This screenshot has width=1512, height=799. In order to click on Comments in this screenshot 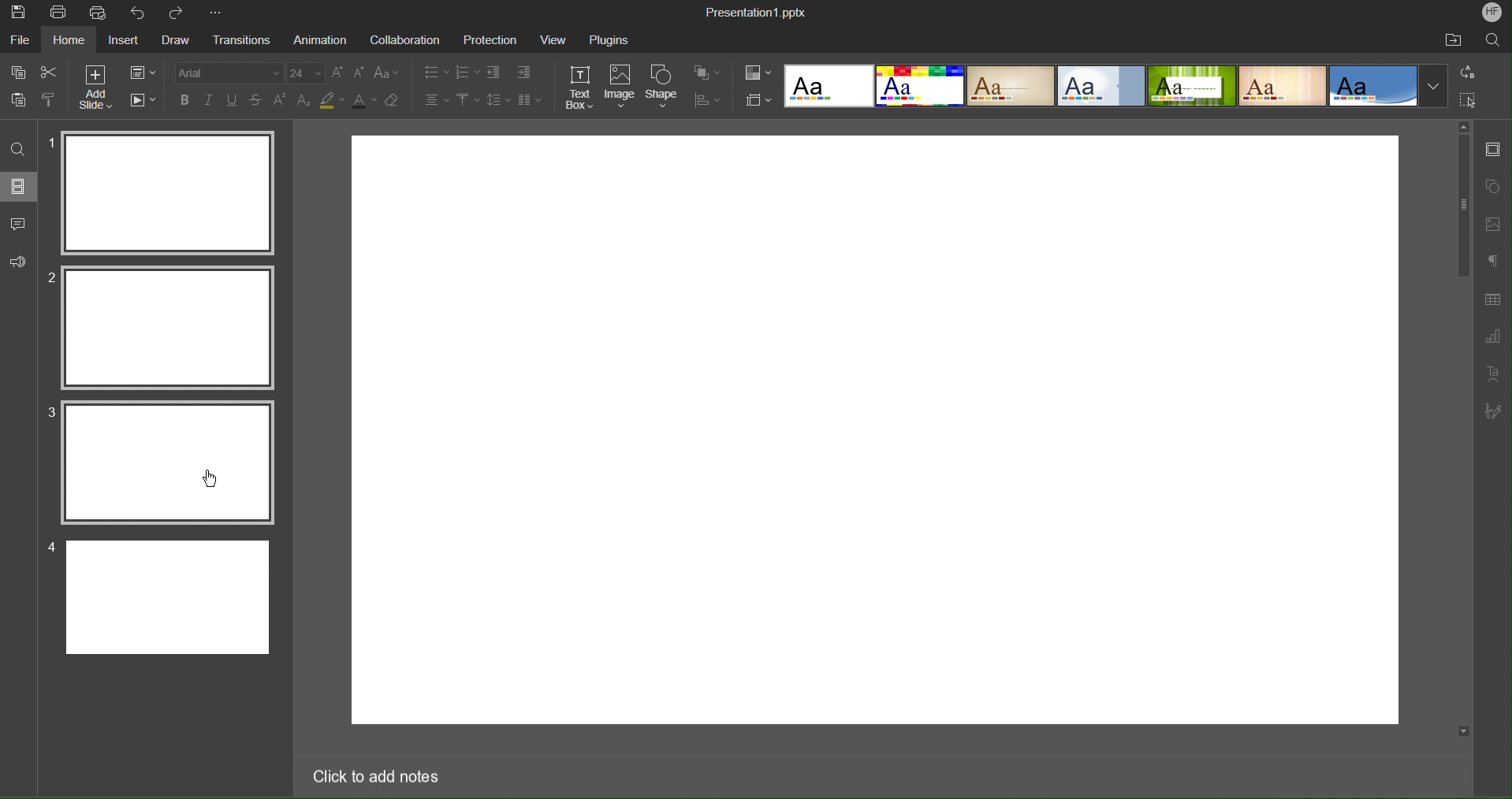, I will do `click(19, 224)`.